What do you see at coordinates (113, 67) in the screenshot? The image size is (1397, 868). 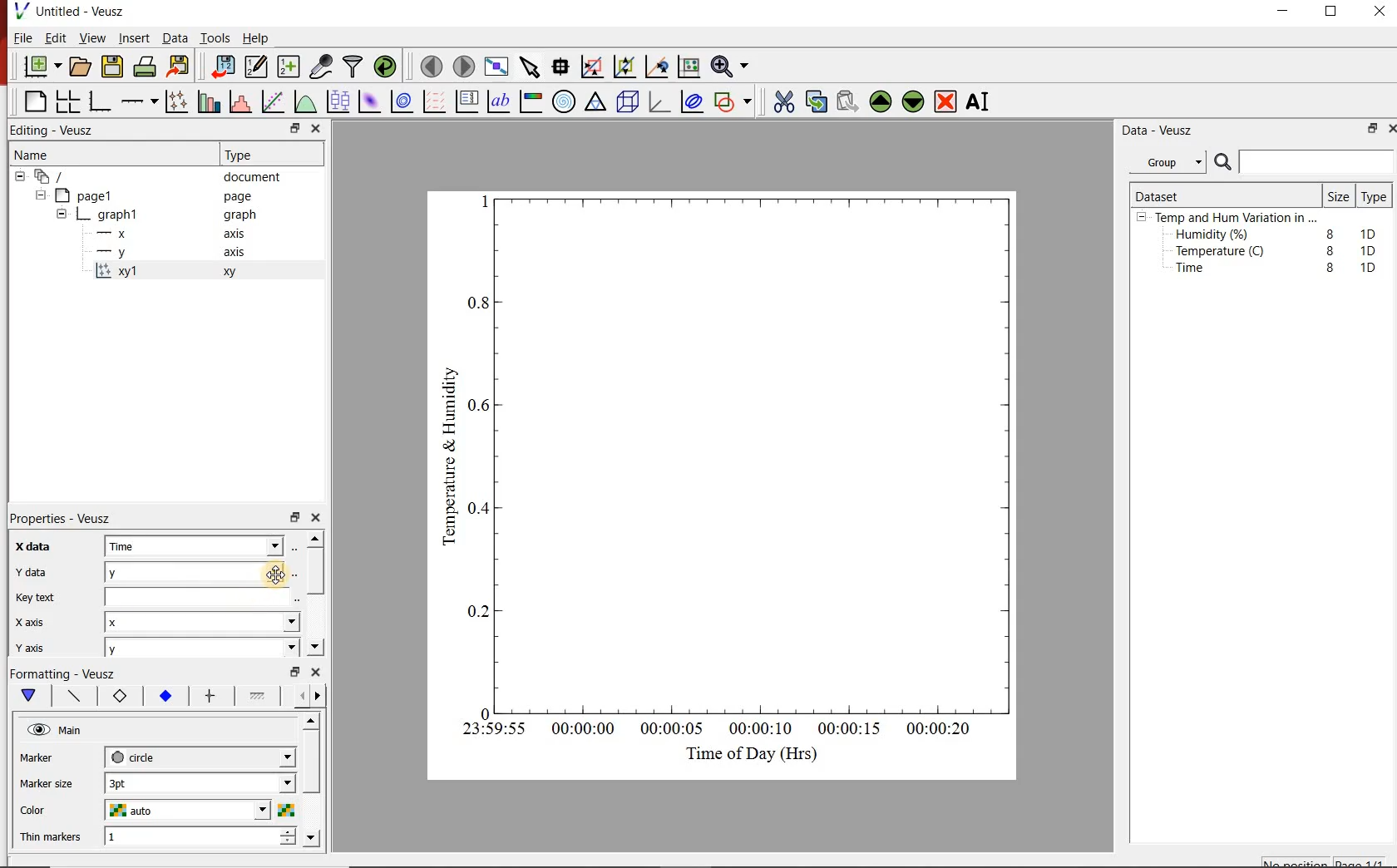 I see `save the document` at bounding box center [113, 67].